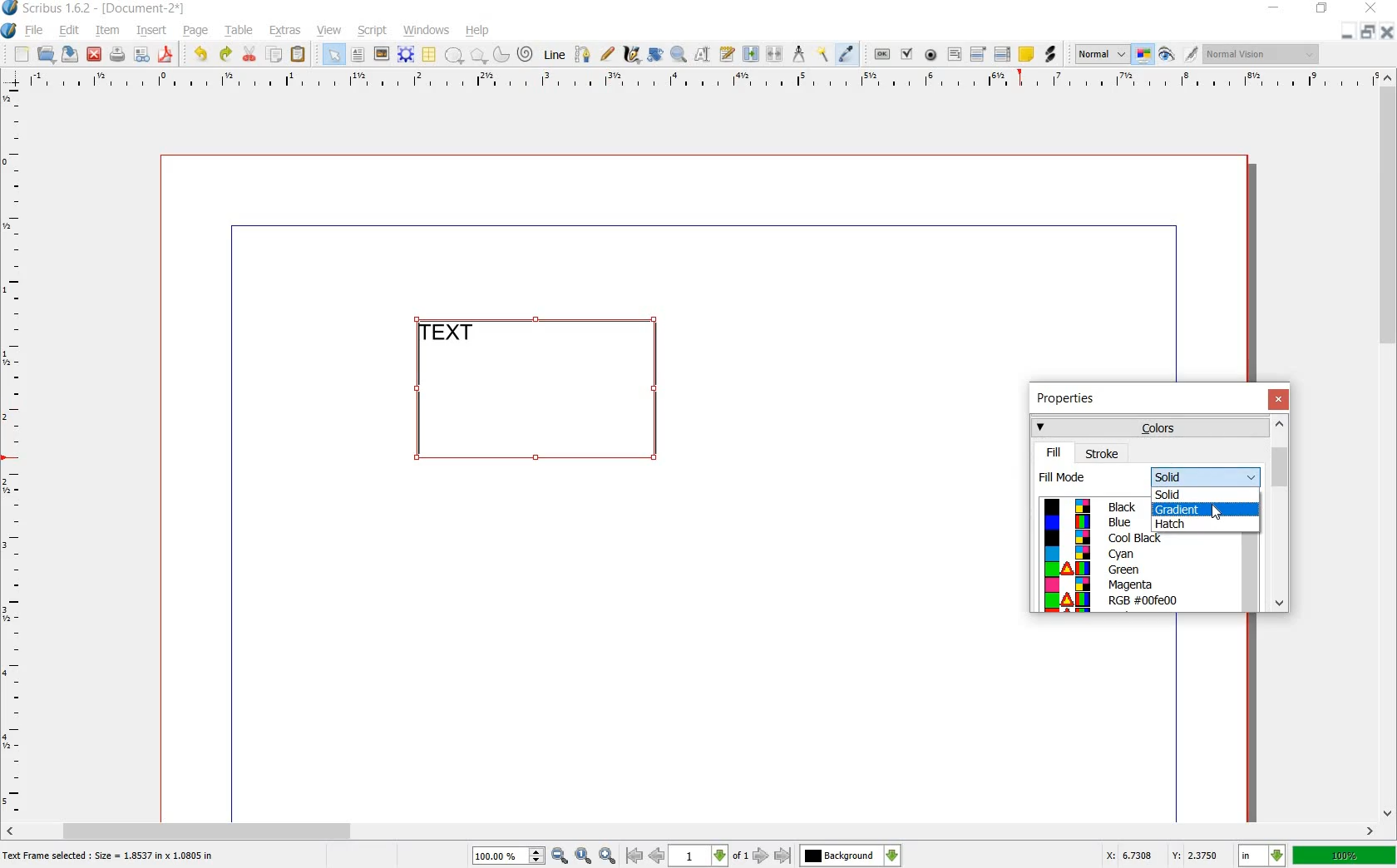  What do you see at coordinates (800, 53) in the screenshot?
I see `measurement` at bounding box center [800, 53].